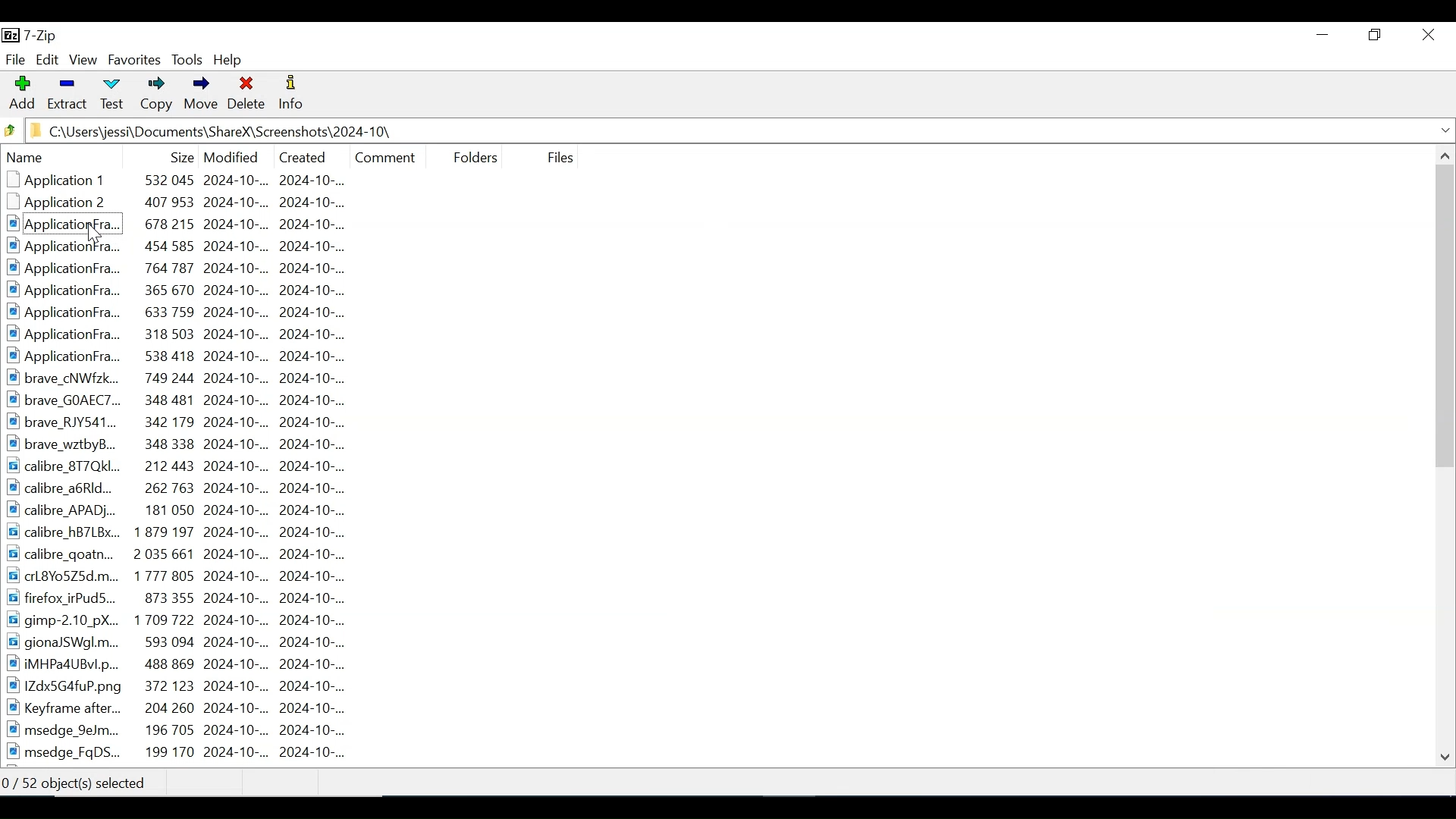 This screenshot has height=819, width=1456. I want to click on ApplicationFra... 633759 2024-10-... 2024-10-.., so click(184, 311).